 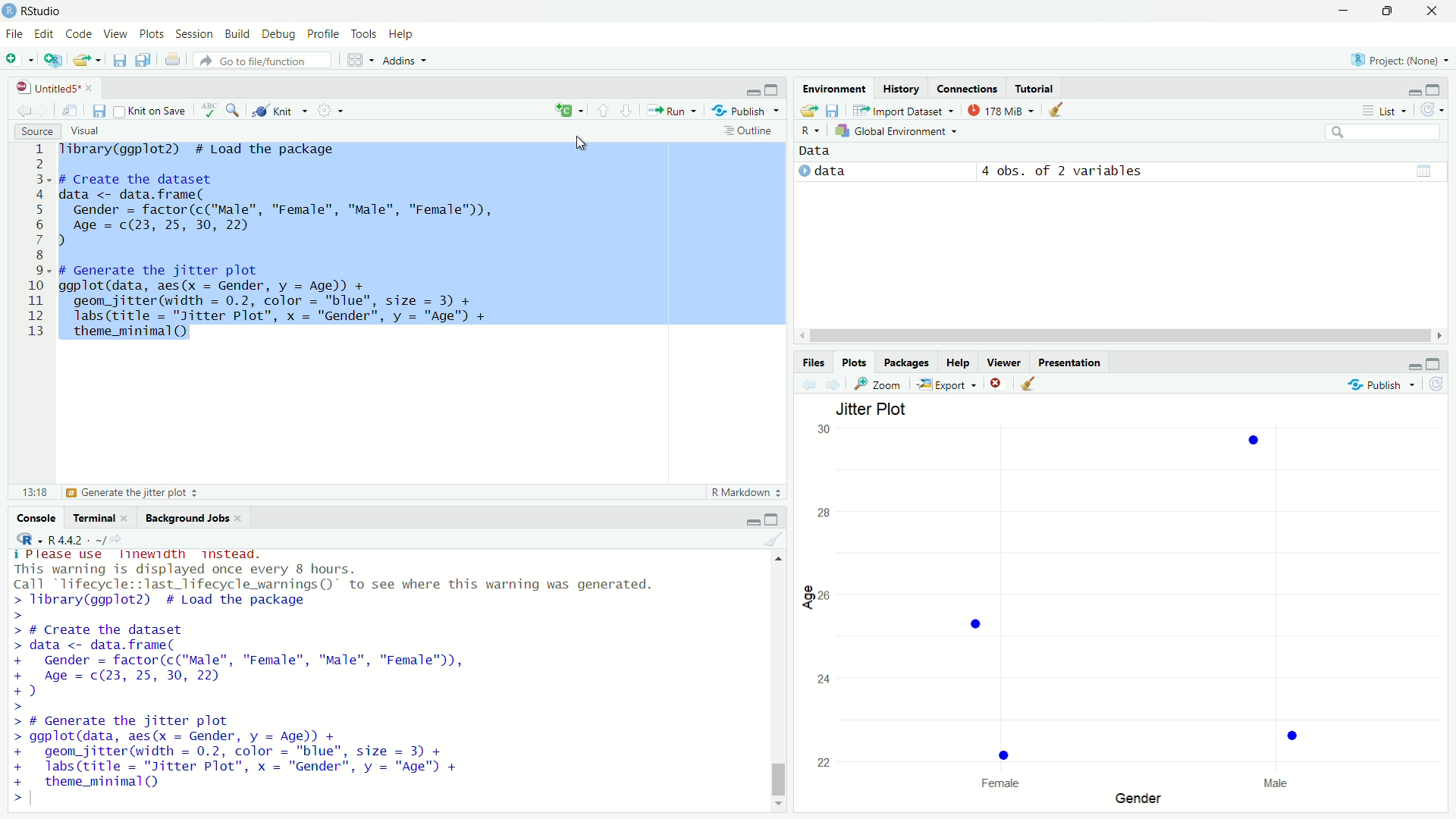 What do you see at coordinates (77, 539) in the screenshot?
I see `R 4.4.2 . ~/` at bounding box center [77, 539].